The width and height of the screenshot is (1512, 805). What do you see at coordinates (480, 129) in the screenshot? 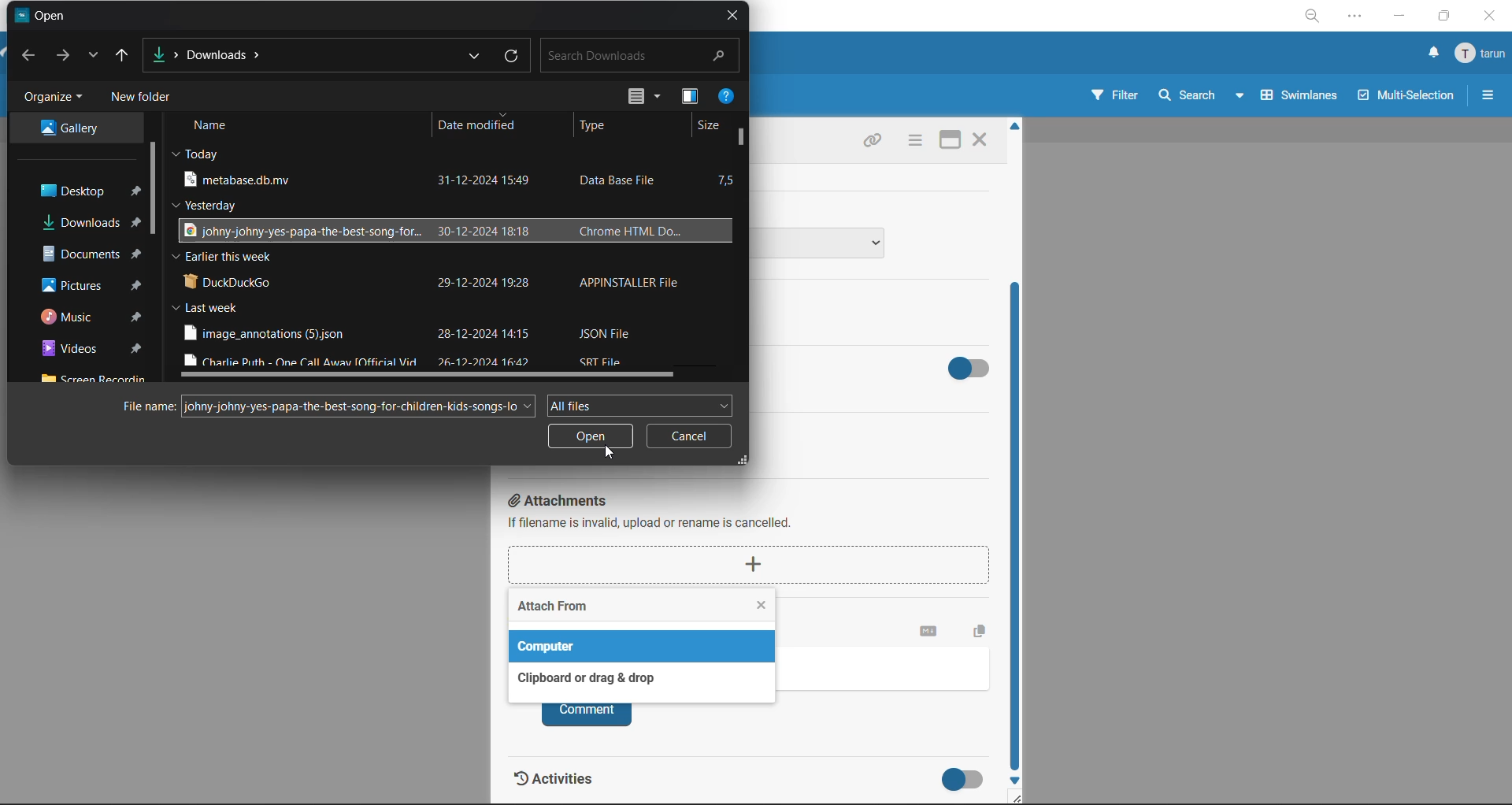
I see `date modified` at bounding box center [480, 129].